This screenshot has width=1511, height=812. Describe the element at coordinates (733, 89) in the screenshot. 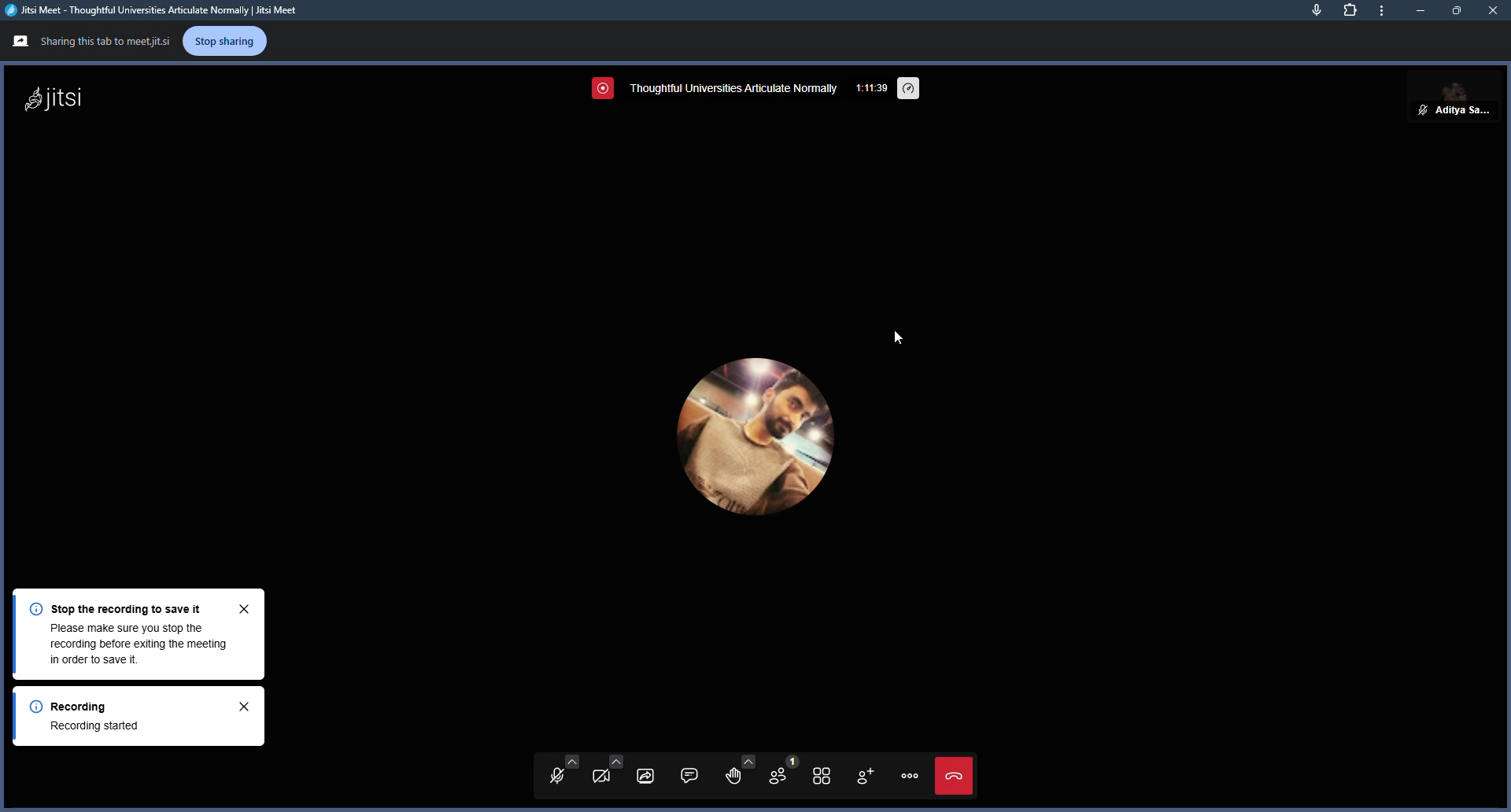

I see `thoughtful universities articulate normally` at that location.